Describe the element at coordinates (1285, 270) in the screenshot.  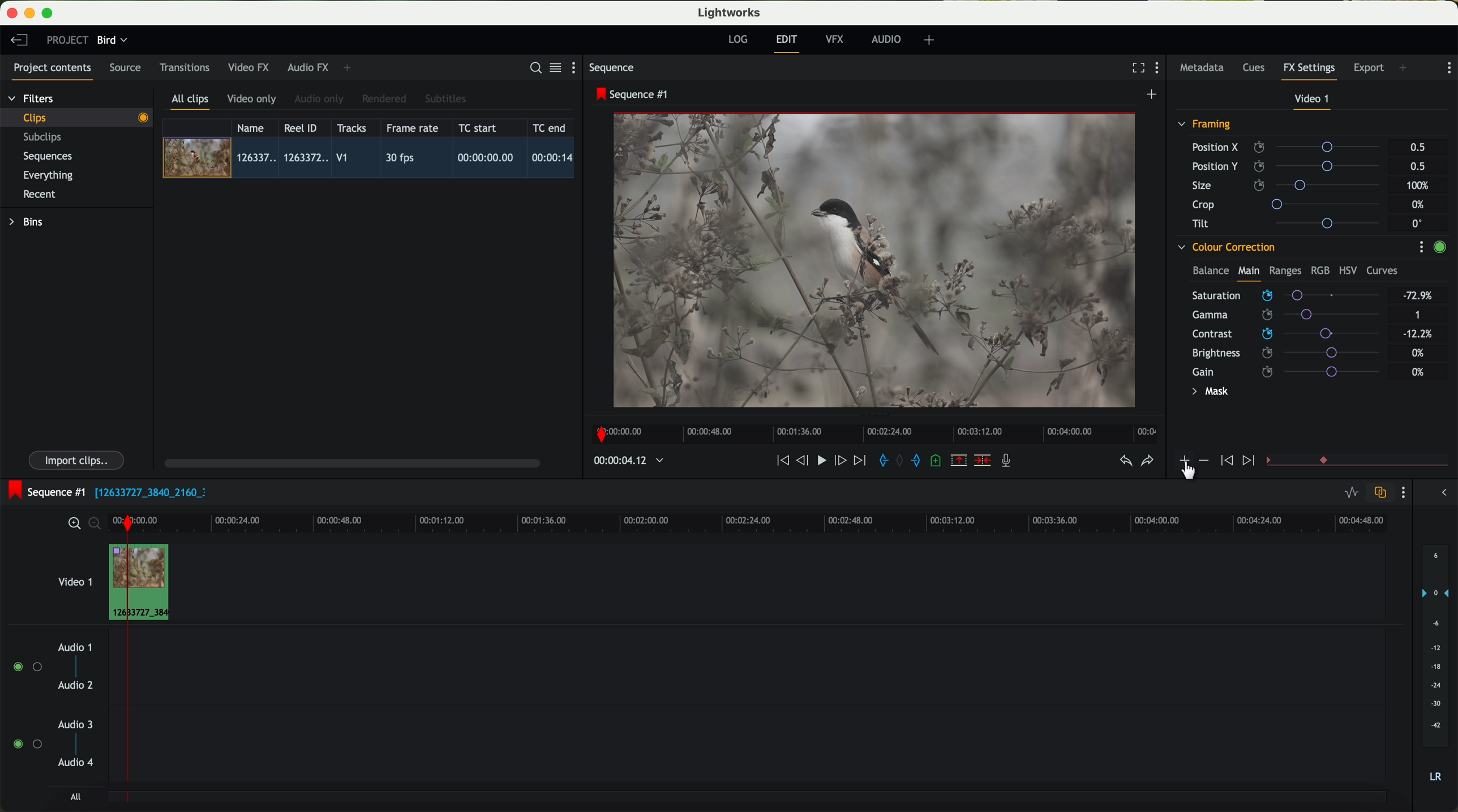
I see `ranges` at that location.